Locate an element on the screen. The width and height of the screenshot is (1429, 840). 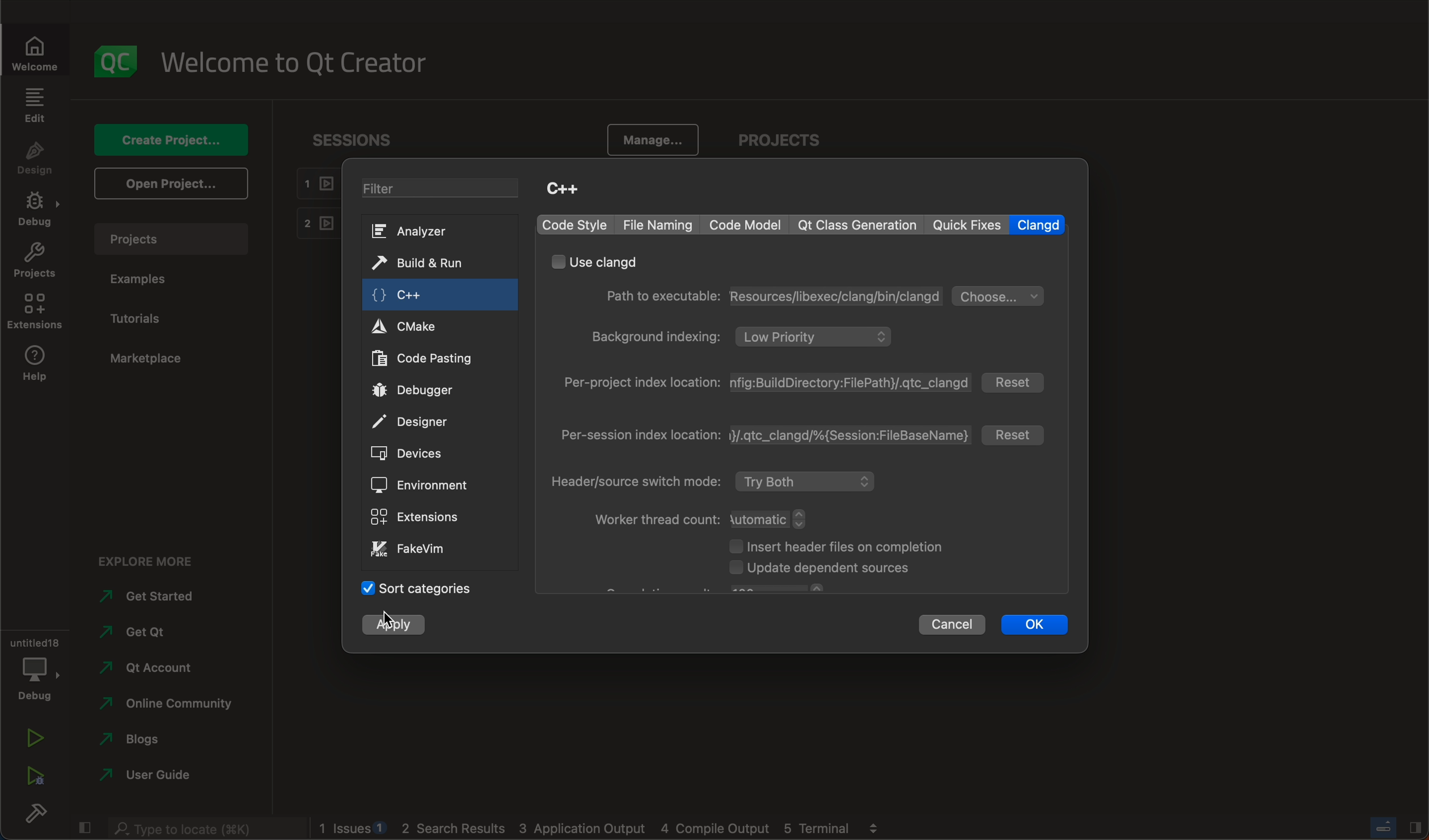
sessions is located at coordinates (360, 139).